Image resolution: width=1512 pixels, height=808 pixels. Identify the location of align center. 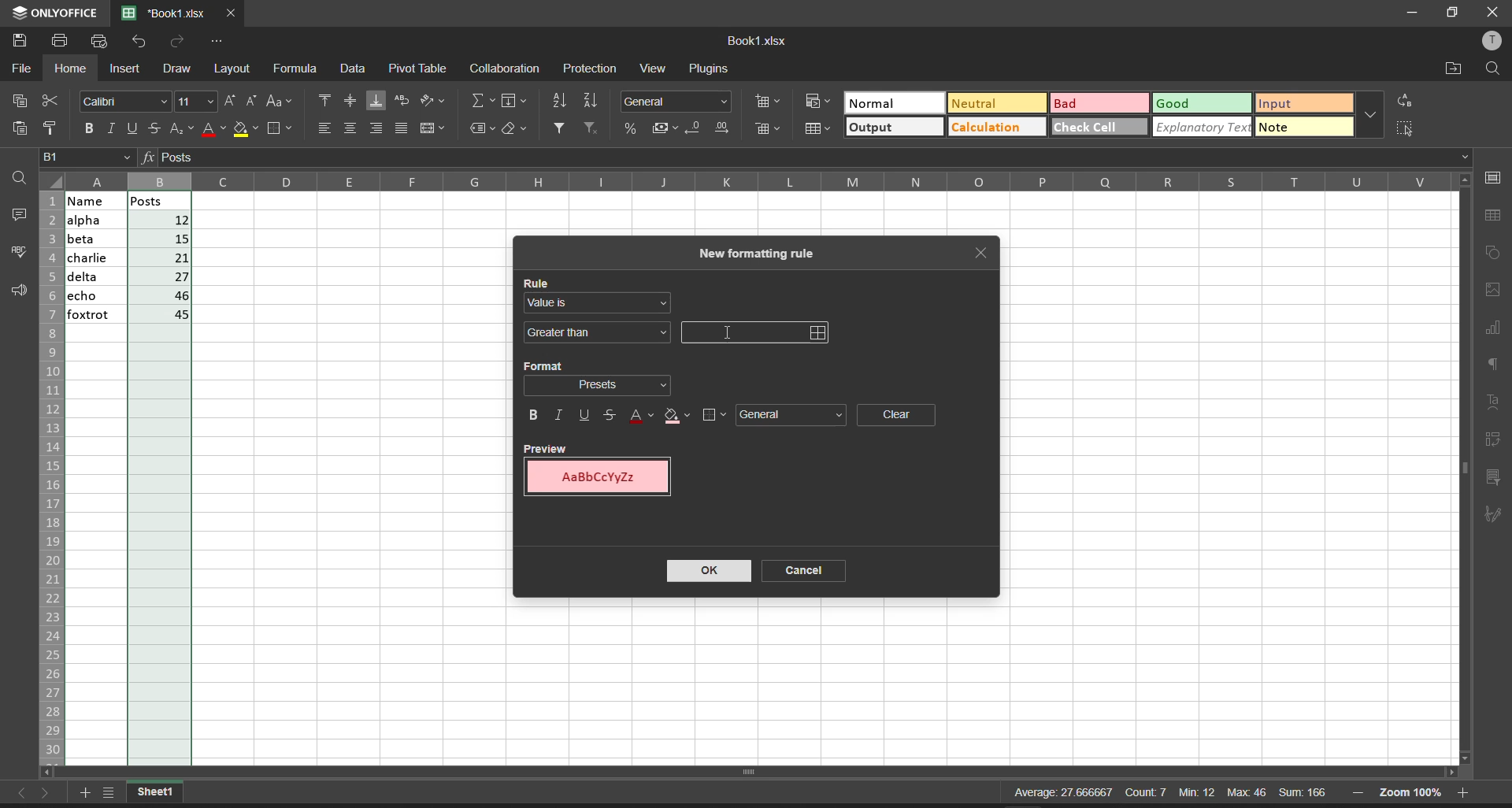
(346, 101).